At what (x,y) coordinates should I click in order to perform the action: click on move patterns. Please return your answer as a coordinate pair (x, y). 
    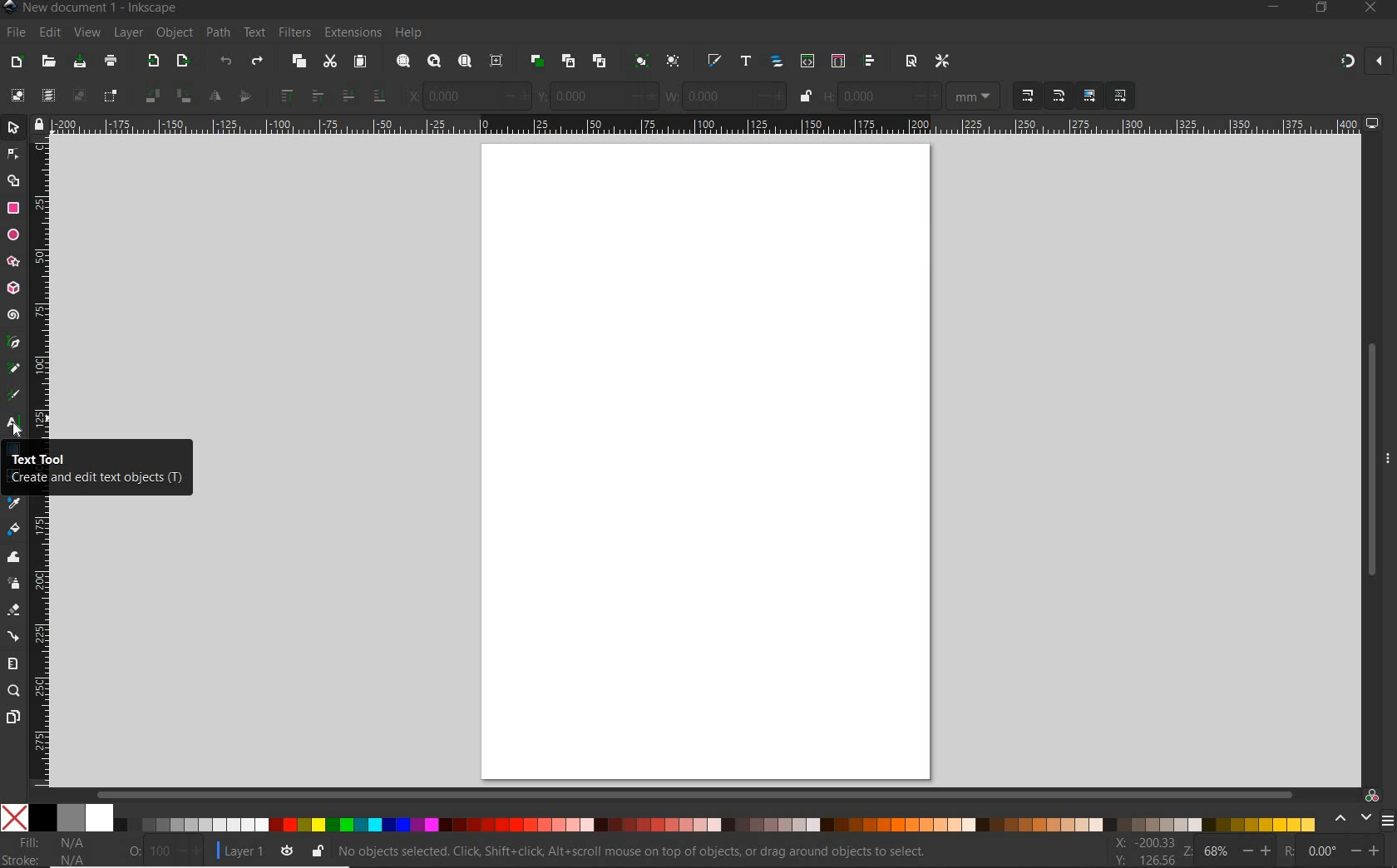
    Looking at the image, I should click on (1121, 96).